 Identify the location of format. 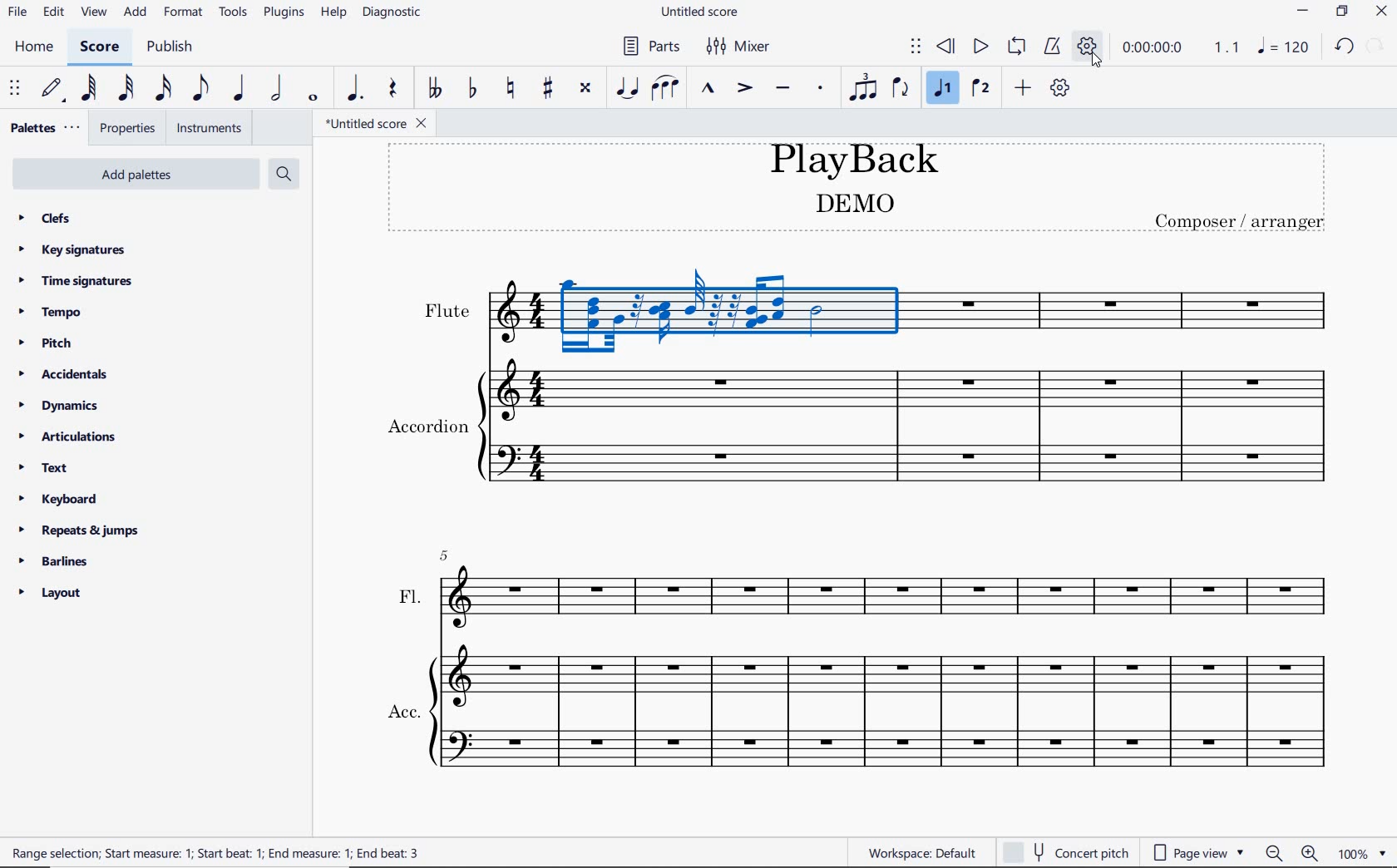
(185, 11).